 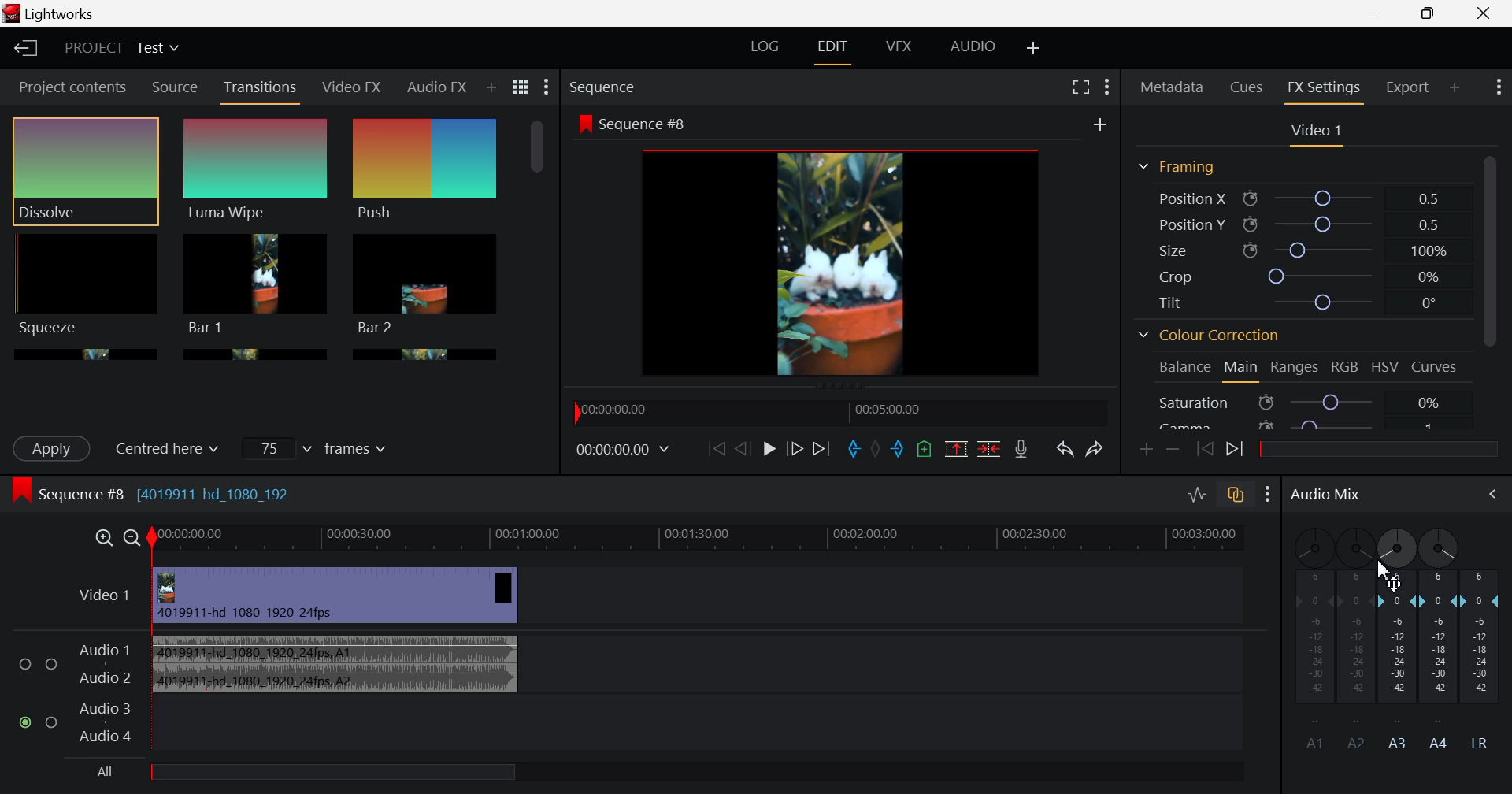 I want to click on Bar 1, so click(x=425, y=284).